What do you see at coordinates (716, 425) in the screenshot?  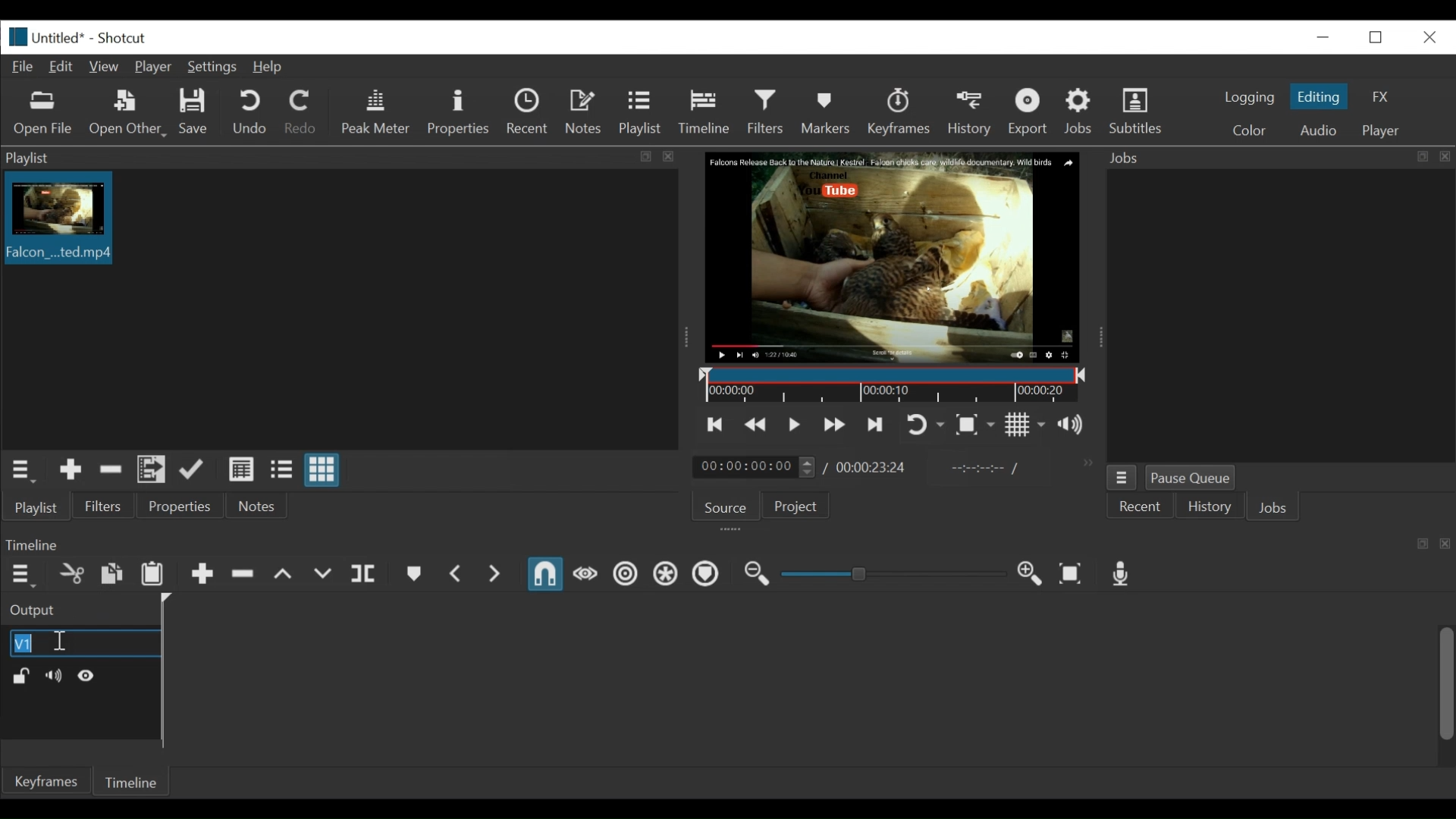 I see `Skip to the previous point` at bounding box center [716, 425].